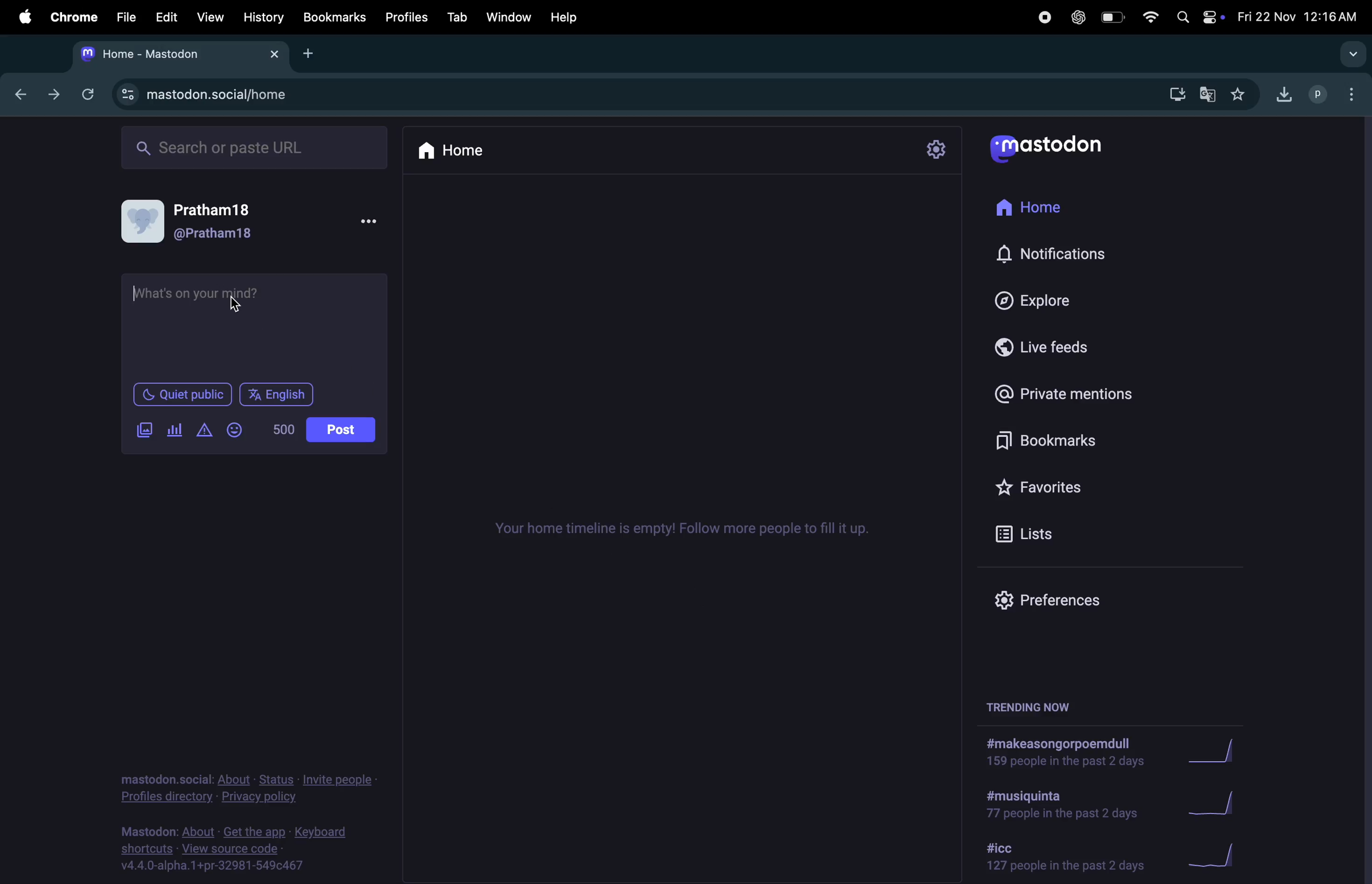 This screenshot has width=1372, height=884. What do you see at coordinates (1041, 18) in the screenshot?
I see `record` at bounding box center [1041, 18].